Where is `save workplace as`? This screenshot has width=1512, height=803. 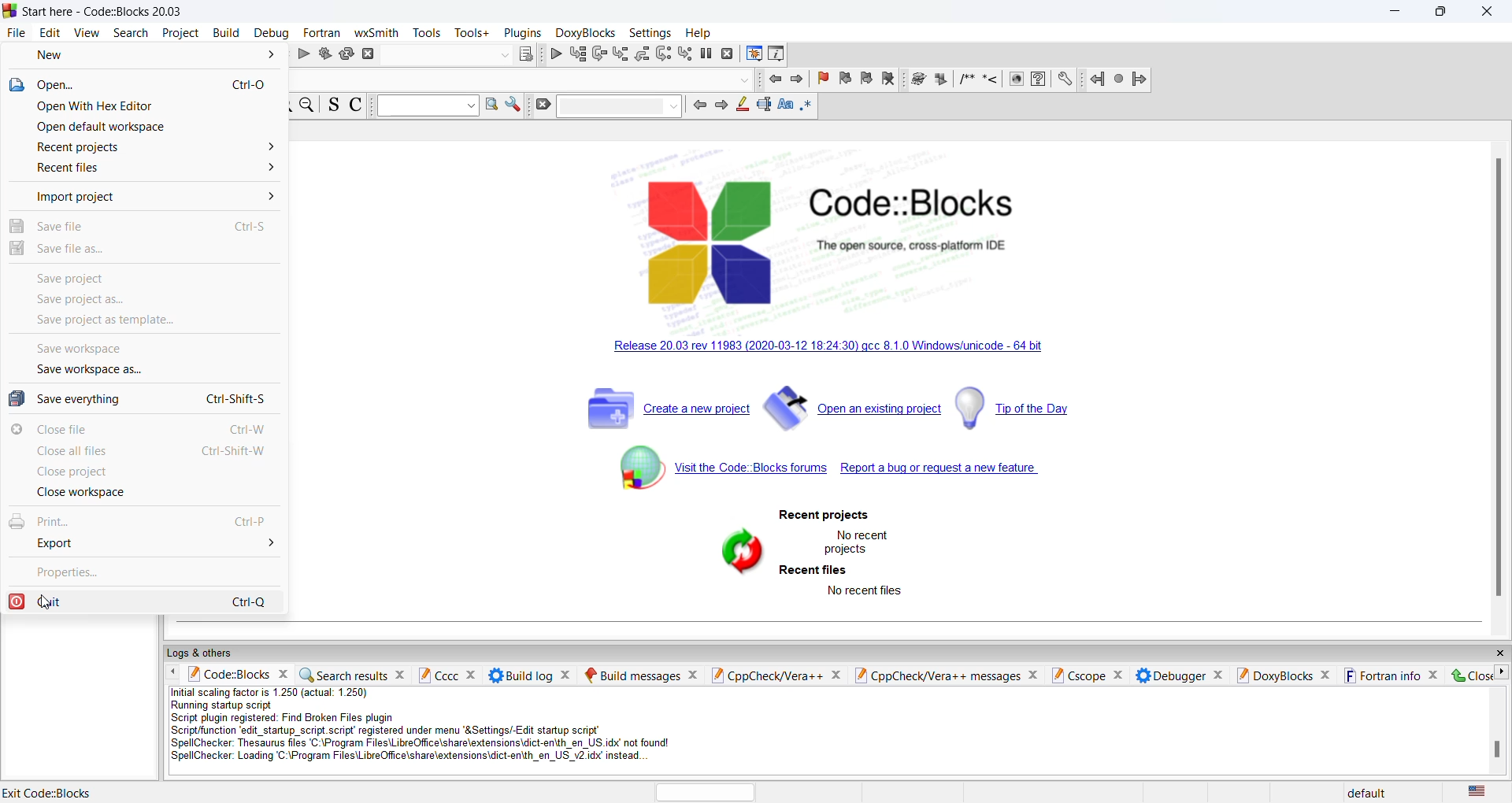 save workplace as is located at coordinates (135, 373).